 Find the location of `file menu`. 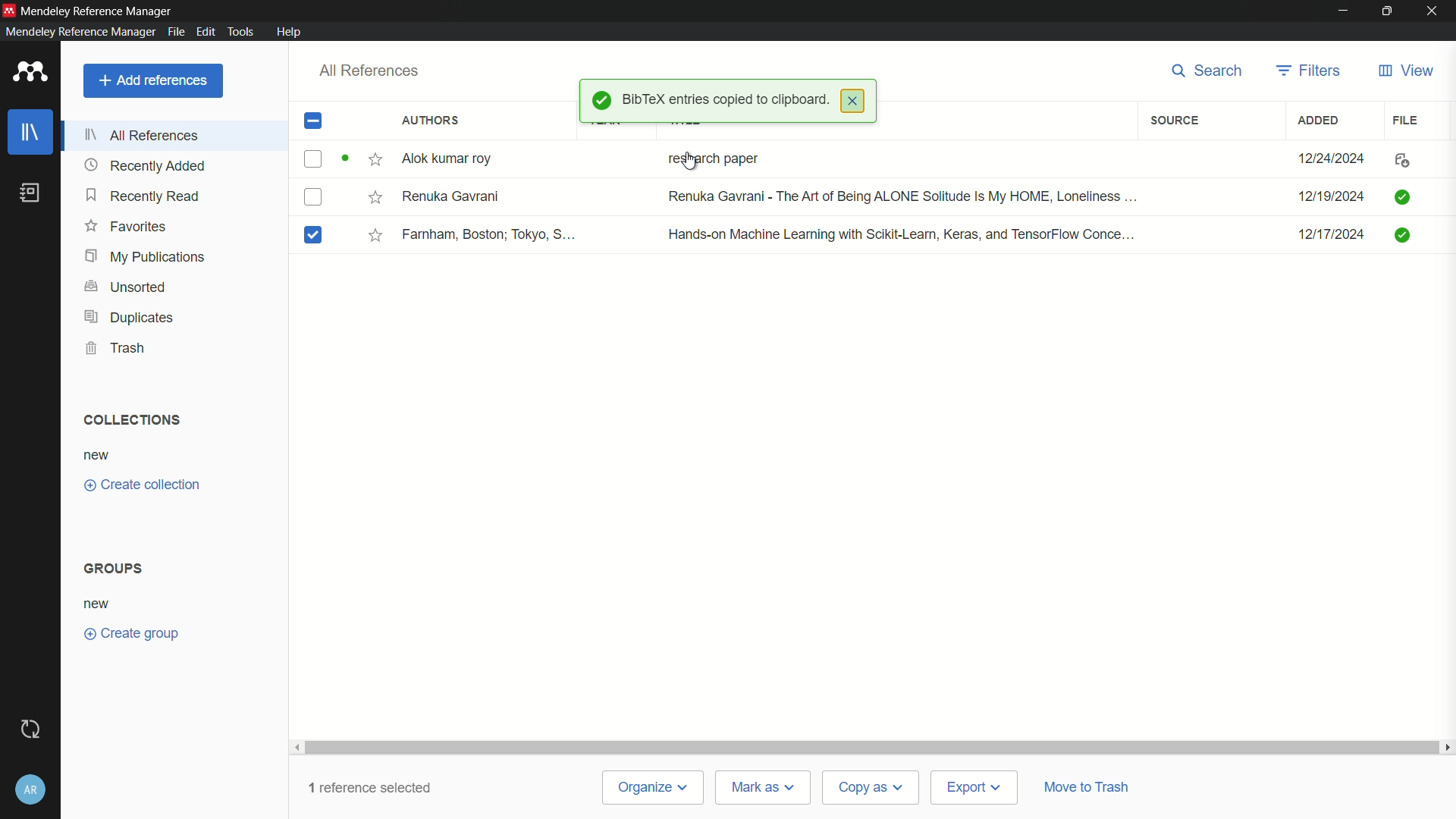

file menu is located at coordinates (176, 32).